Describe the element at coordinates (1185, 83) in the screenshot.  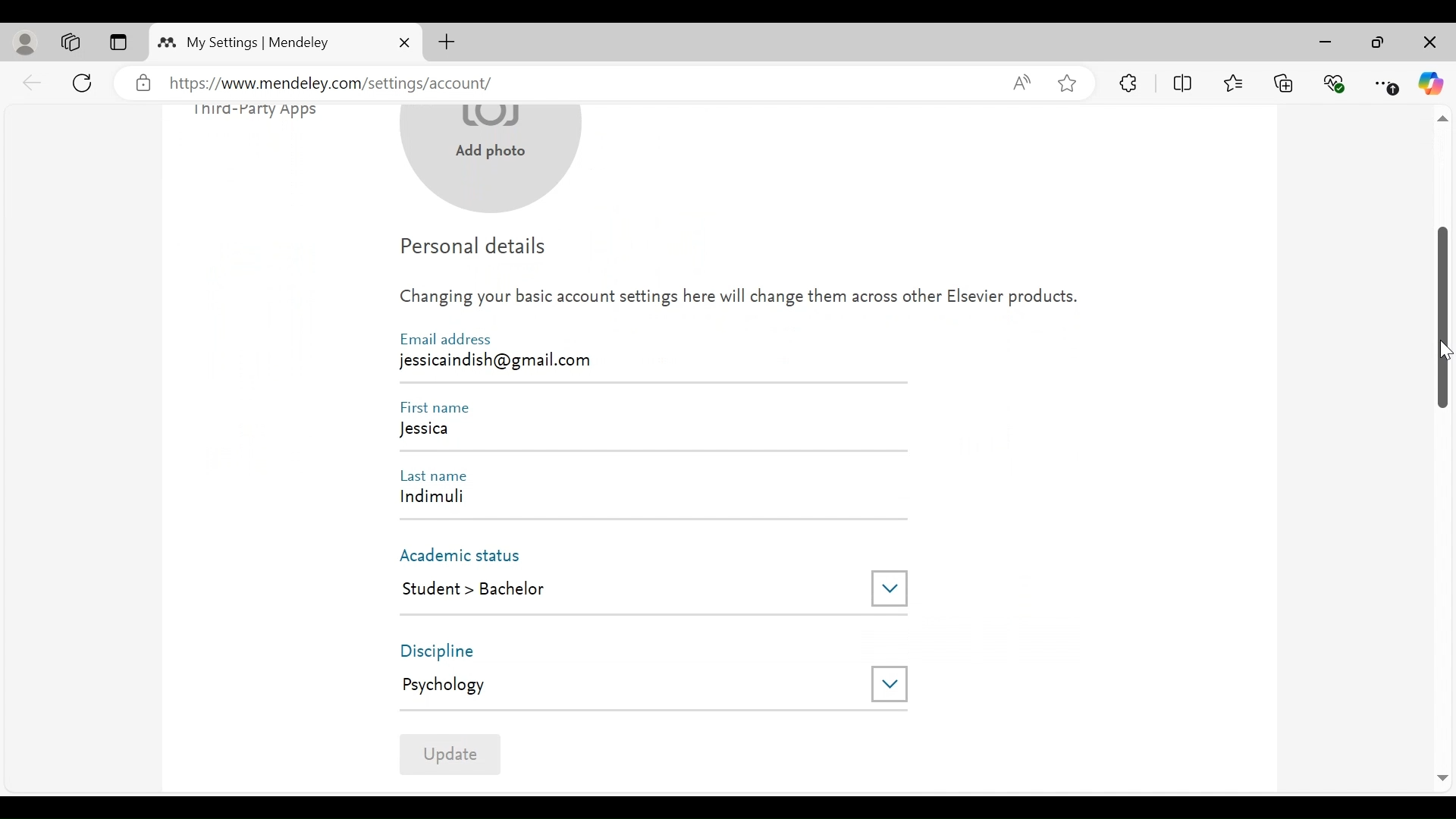
I see `Split Screen` at that location.